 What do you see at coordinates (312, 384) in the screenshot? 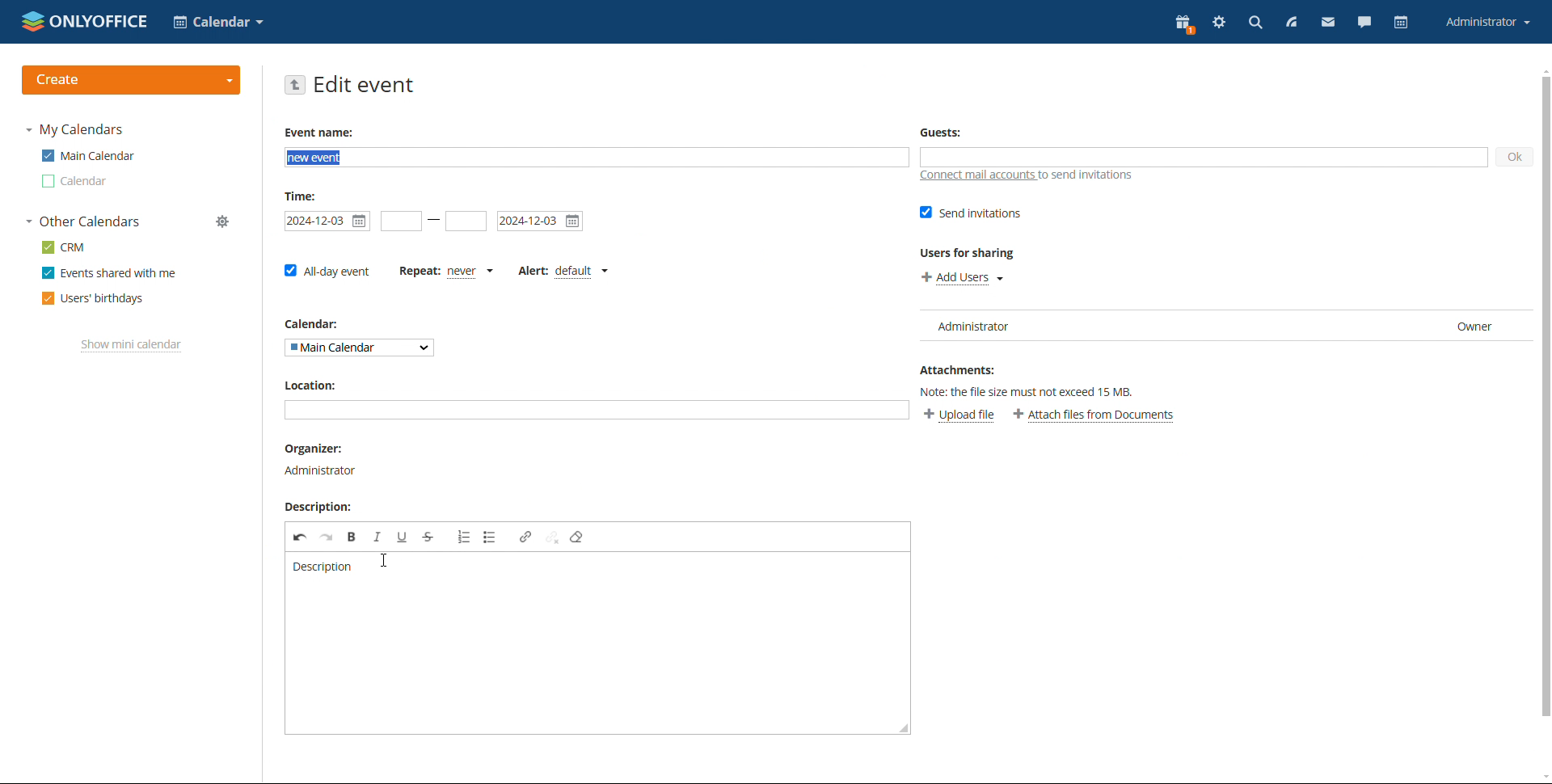
I see `Location:` at bounding box center [312, 384].